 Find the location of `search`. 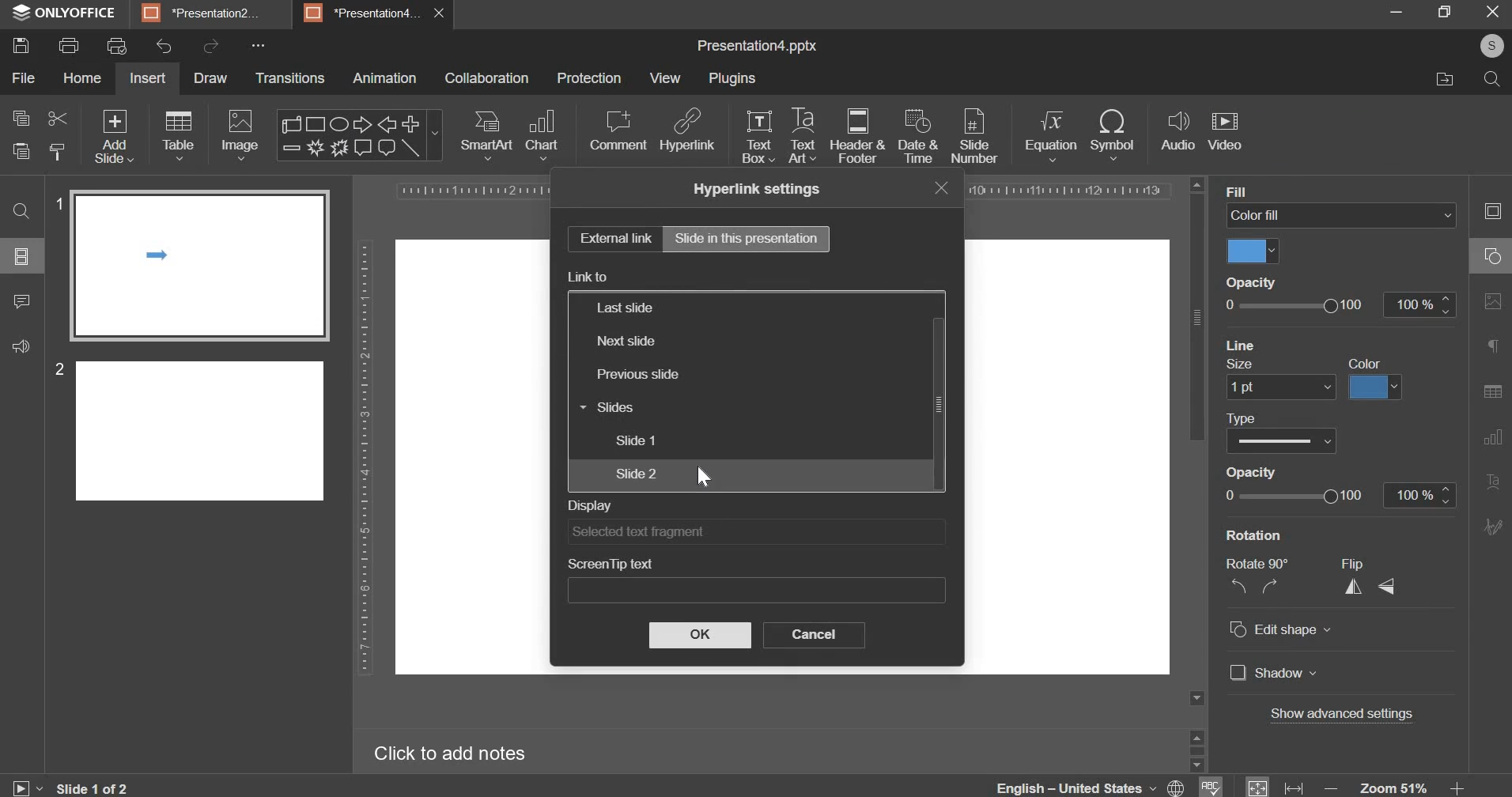

search is located at coordinates (1487, 77).